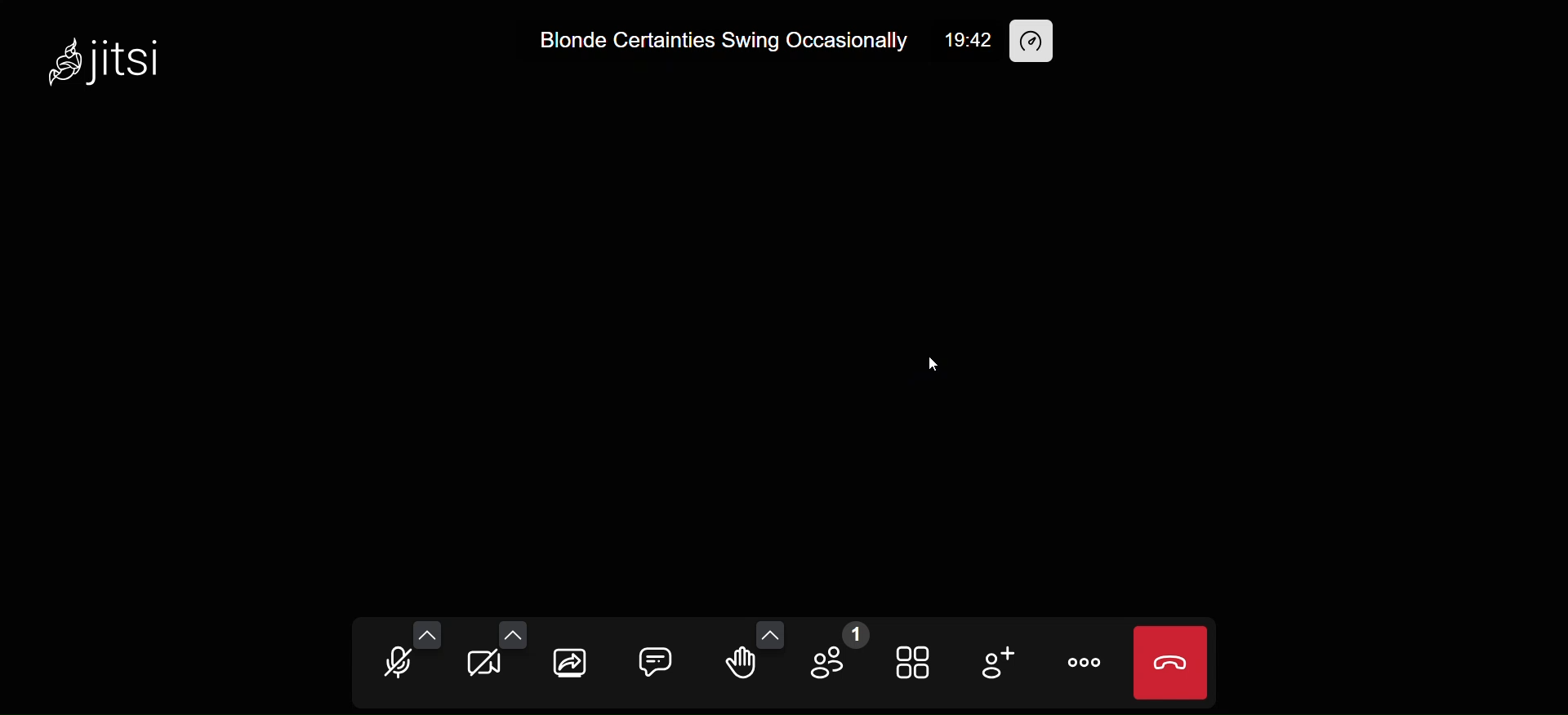  I want to click on cursor, so click(934, 368).